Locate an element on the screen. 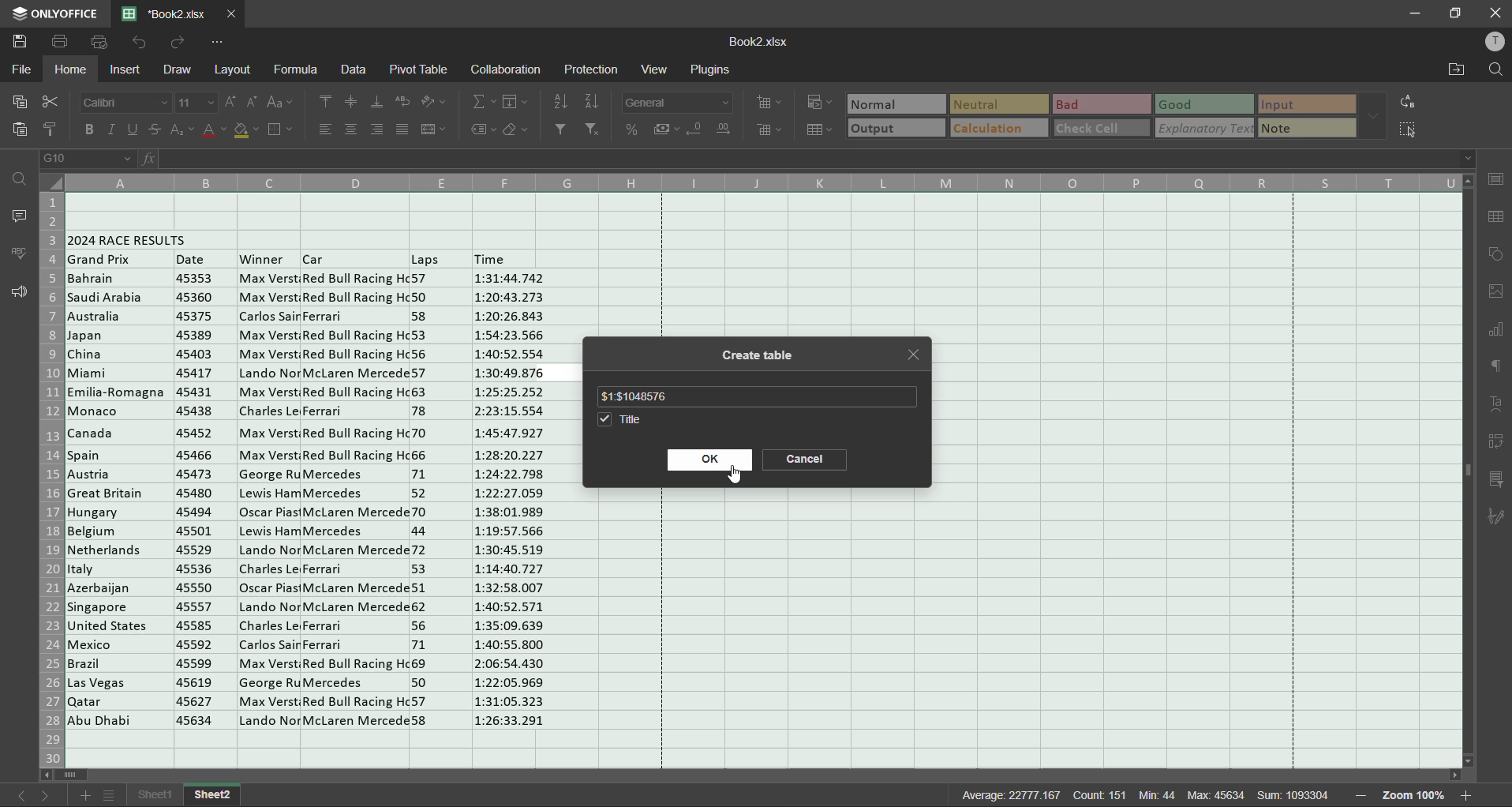 This screenshot has height=807, width=1512. plugins is located at coordinates (710, 72).